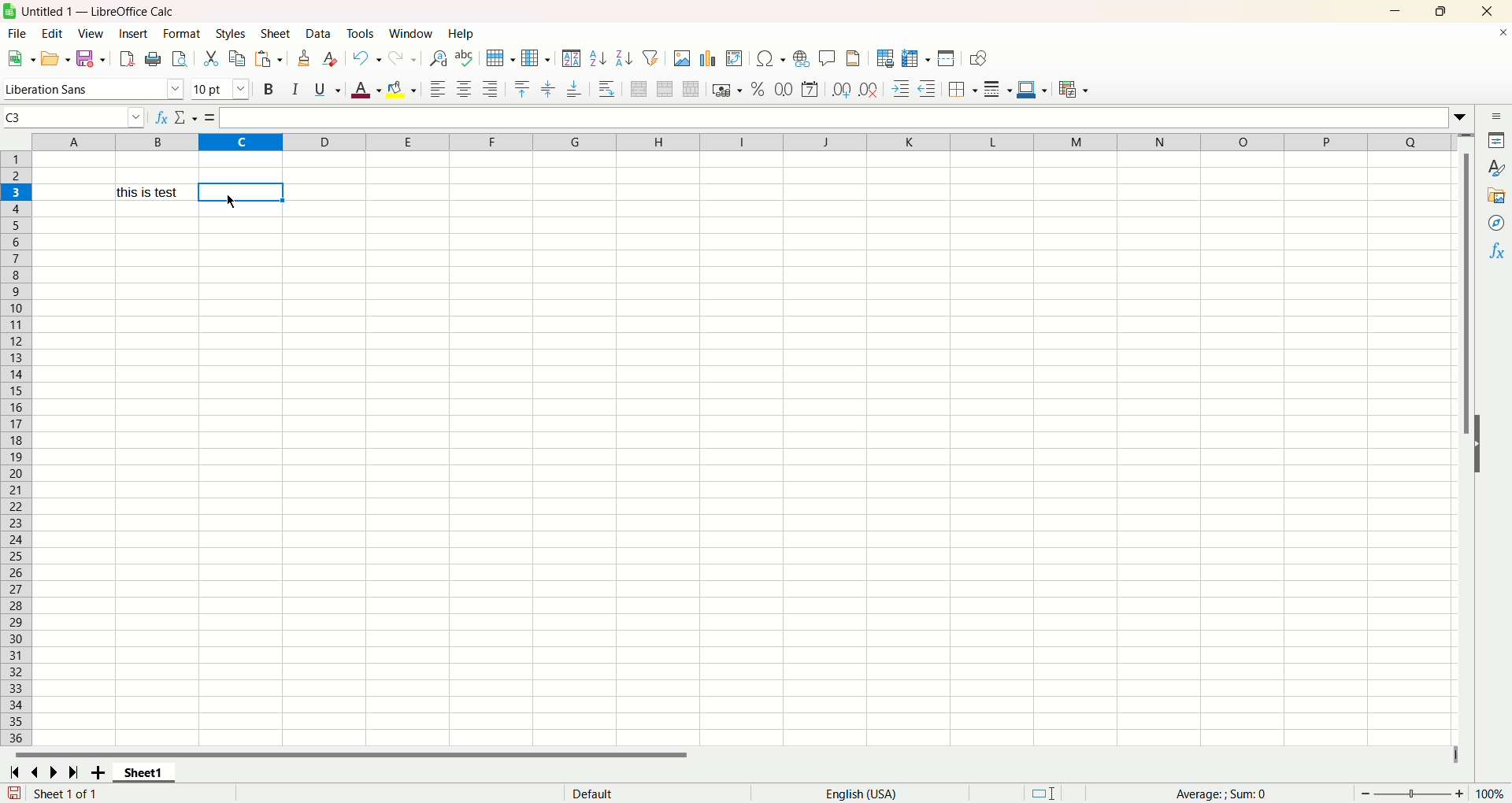  Describe the element at coordinates (682, 57) in the screenshot. I see `insert image` at that location.